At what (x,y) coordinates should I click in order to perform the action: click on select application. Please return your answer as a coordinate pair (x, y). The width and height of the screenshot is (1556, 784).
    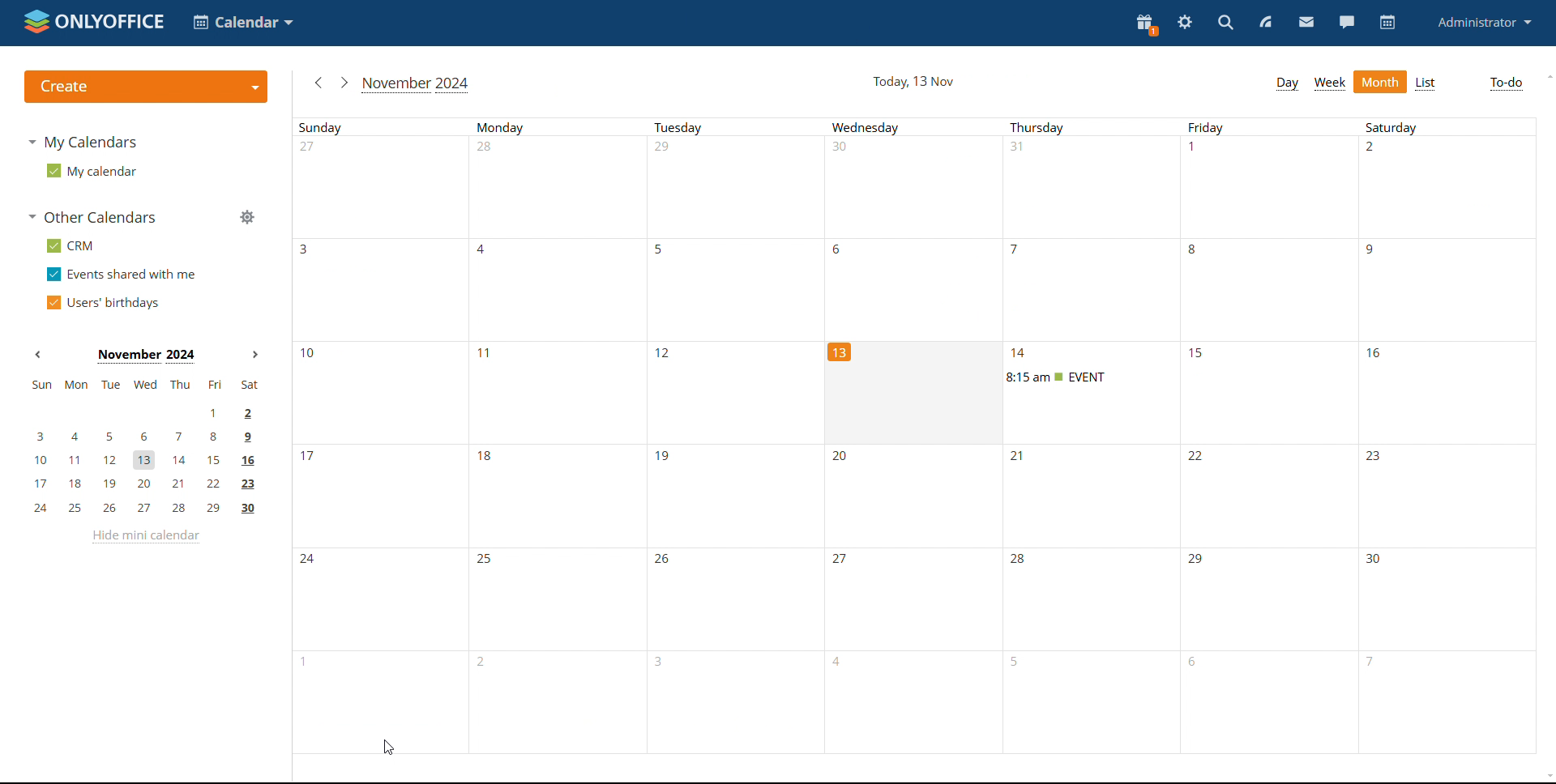
    Looking at the image, I should click on (242, 22).